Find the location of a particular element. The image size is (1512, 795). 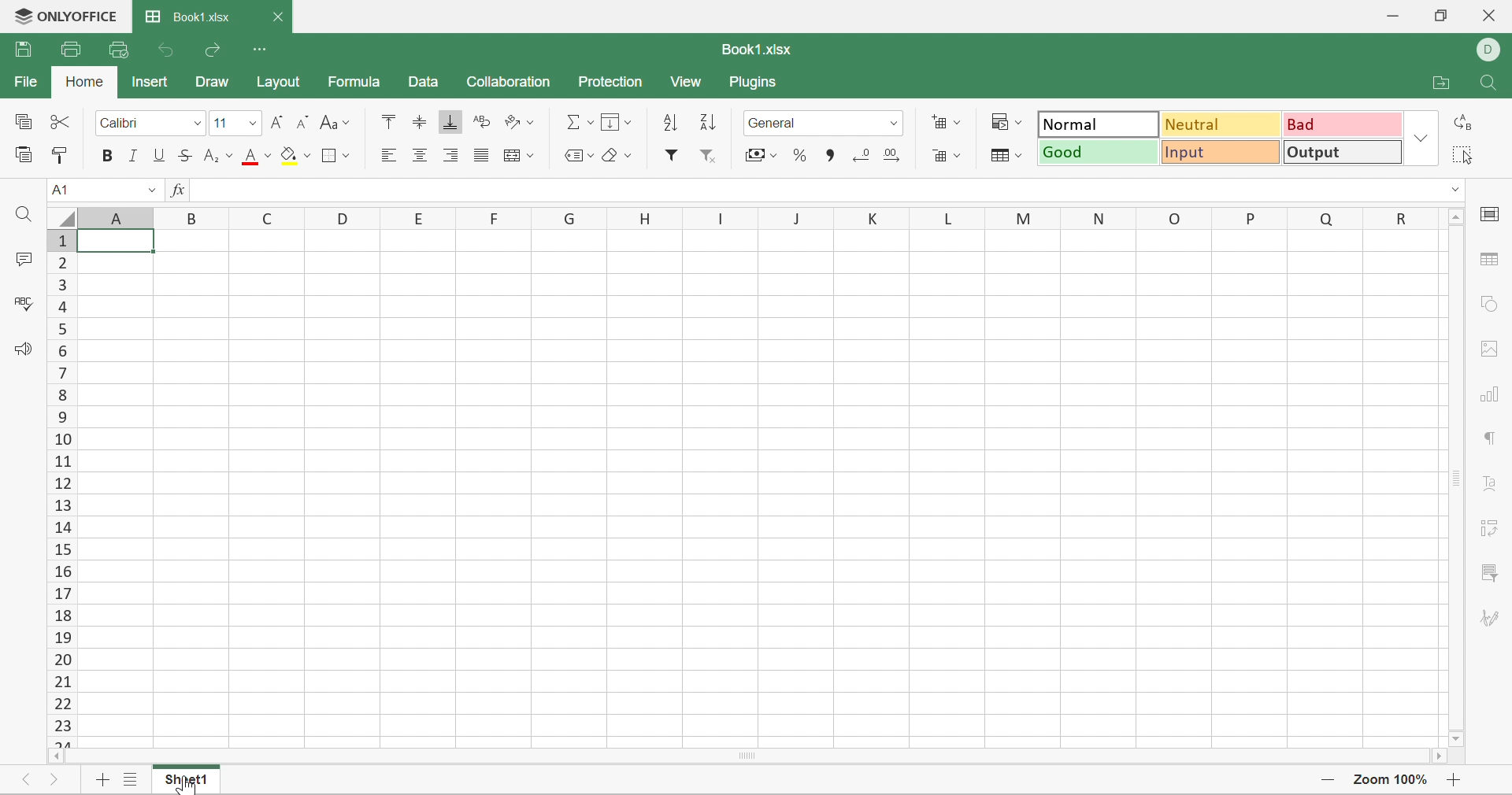

Add sheet is located at coordinates (100, 779).